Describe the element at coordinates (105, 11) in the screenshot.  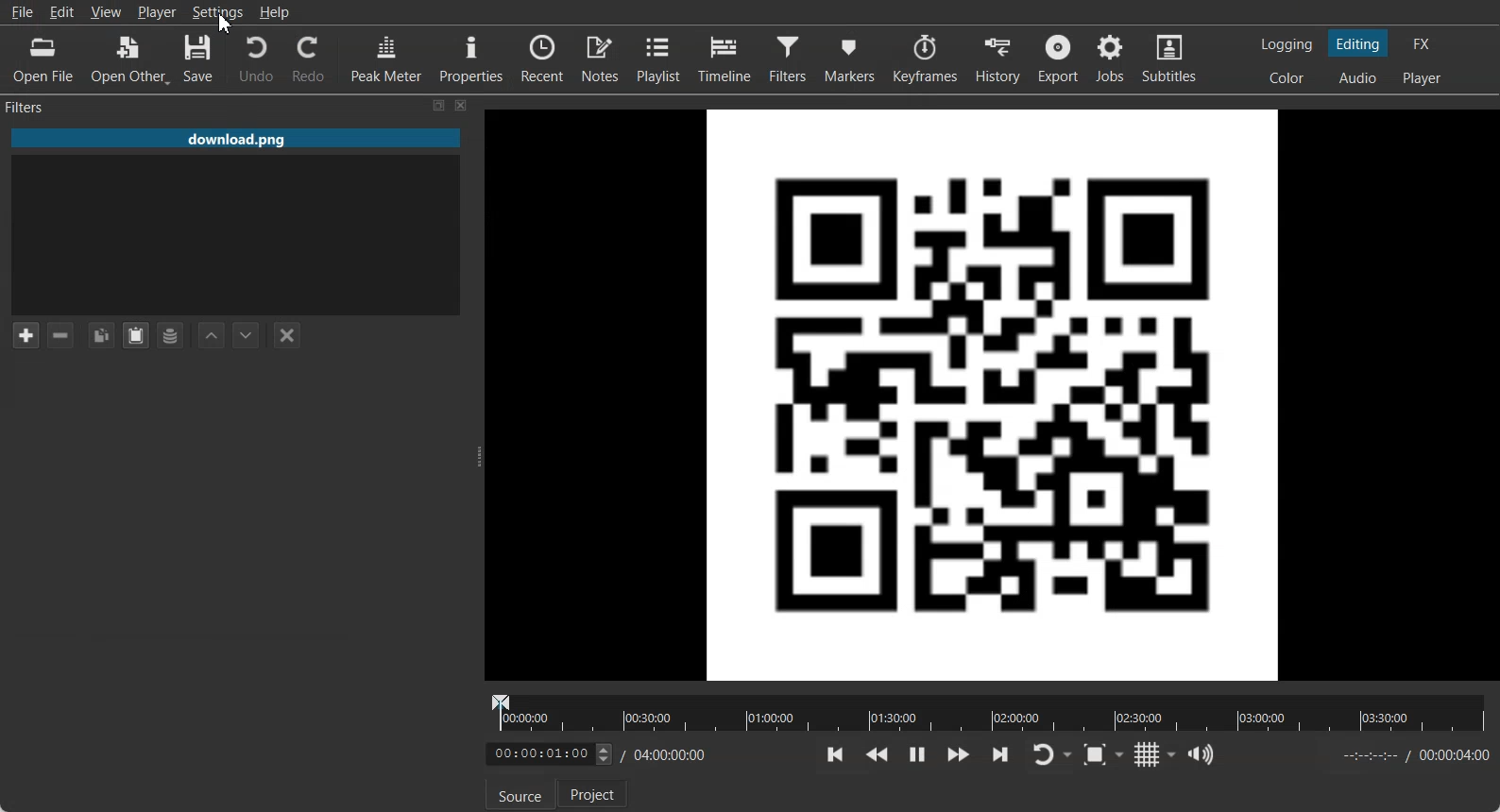
I see `View` at that location.